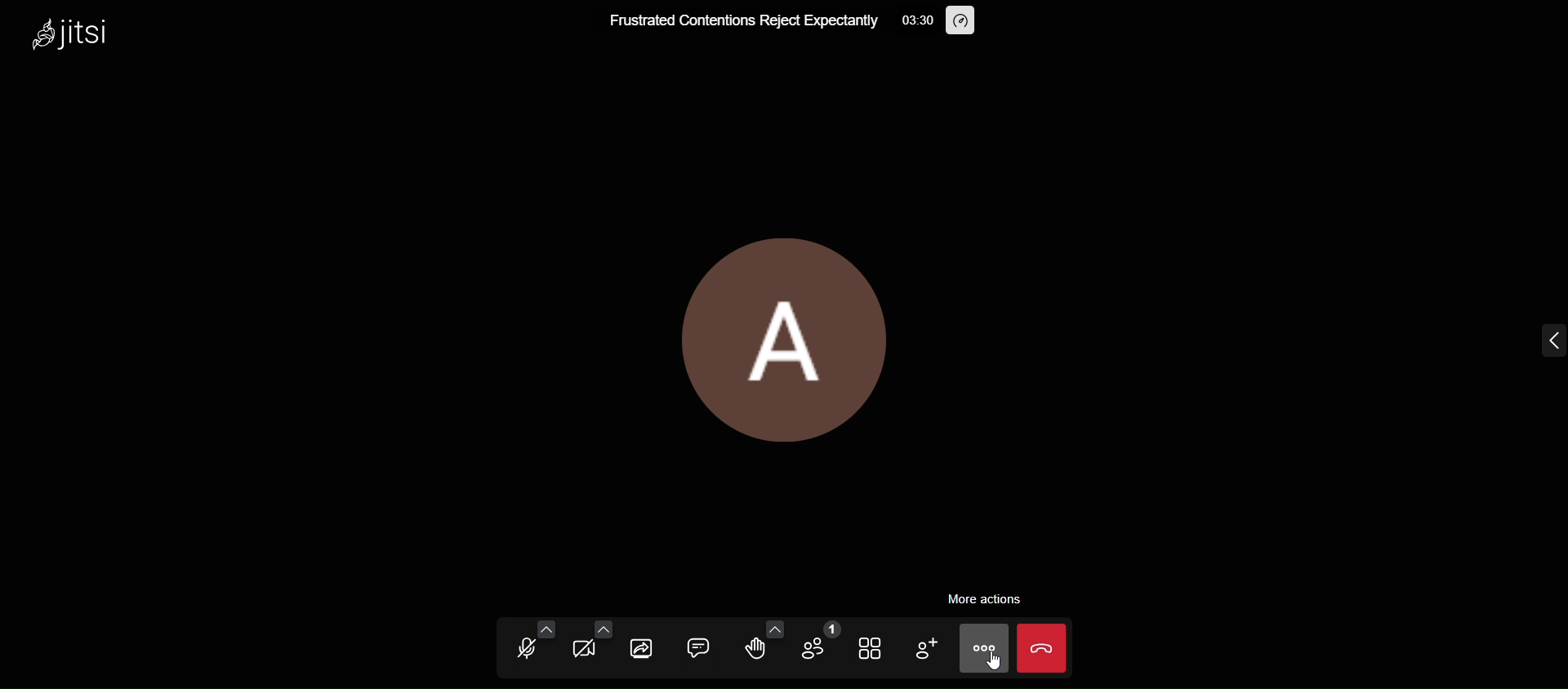 The height and width of the screenshot is (689, 1568). Describe the element at coordinates (755, 651) in the screenshot. I see `raise your hand` at that location.